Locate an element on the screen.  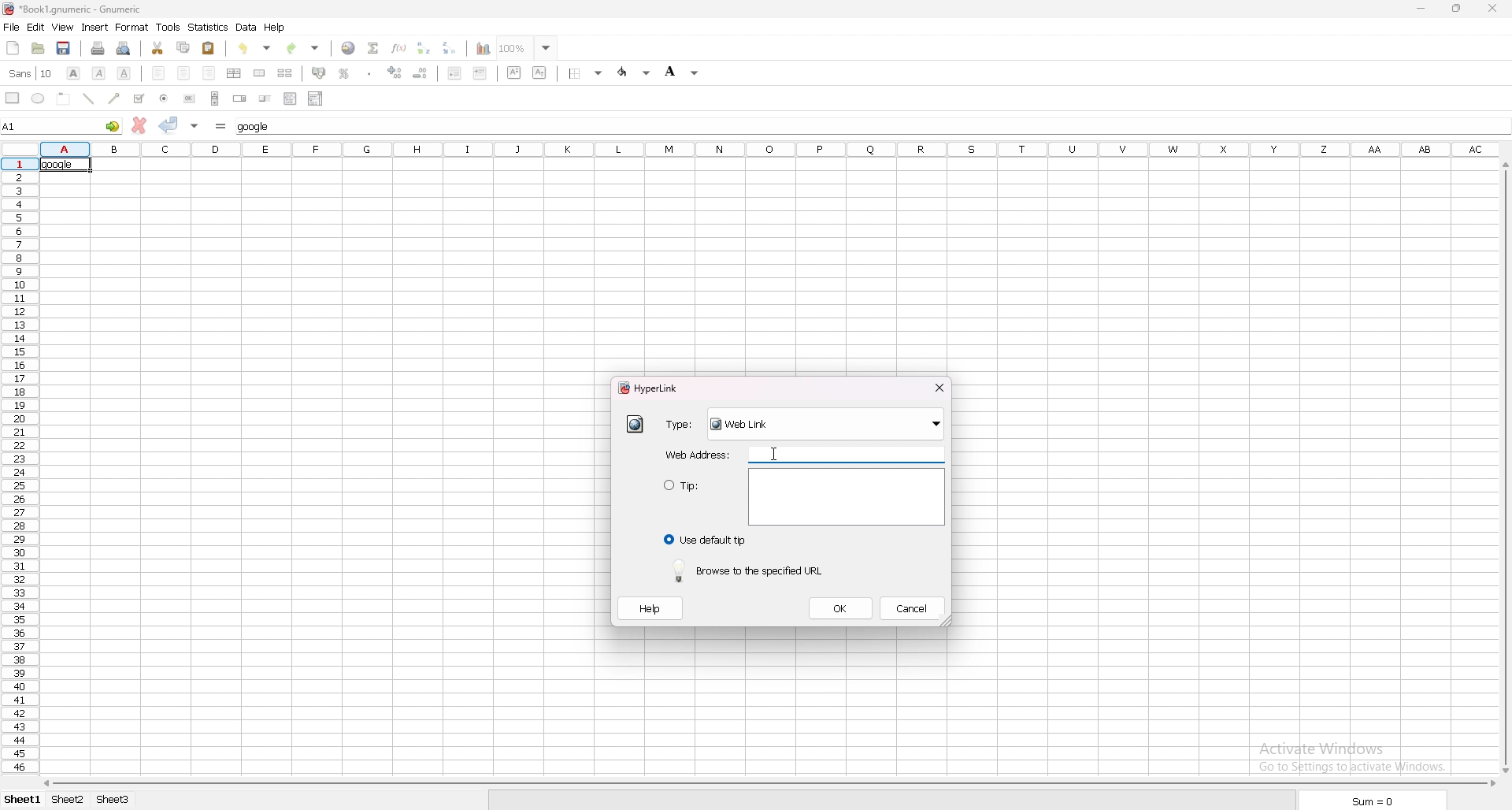
text area is located at coordinates (847, 491).